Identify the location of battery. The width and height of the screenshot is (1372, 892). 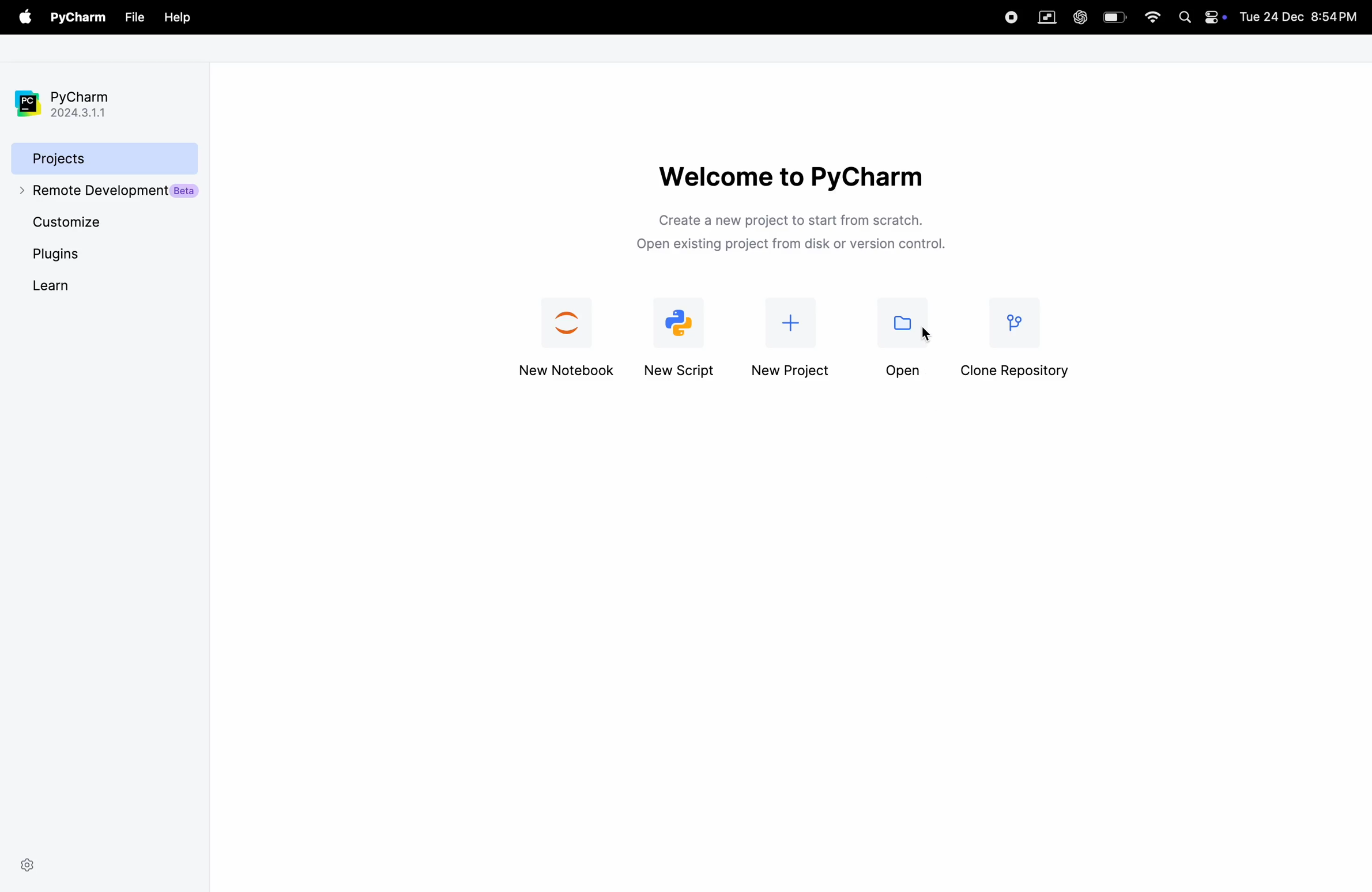
(1217, 16).